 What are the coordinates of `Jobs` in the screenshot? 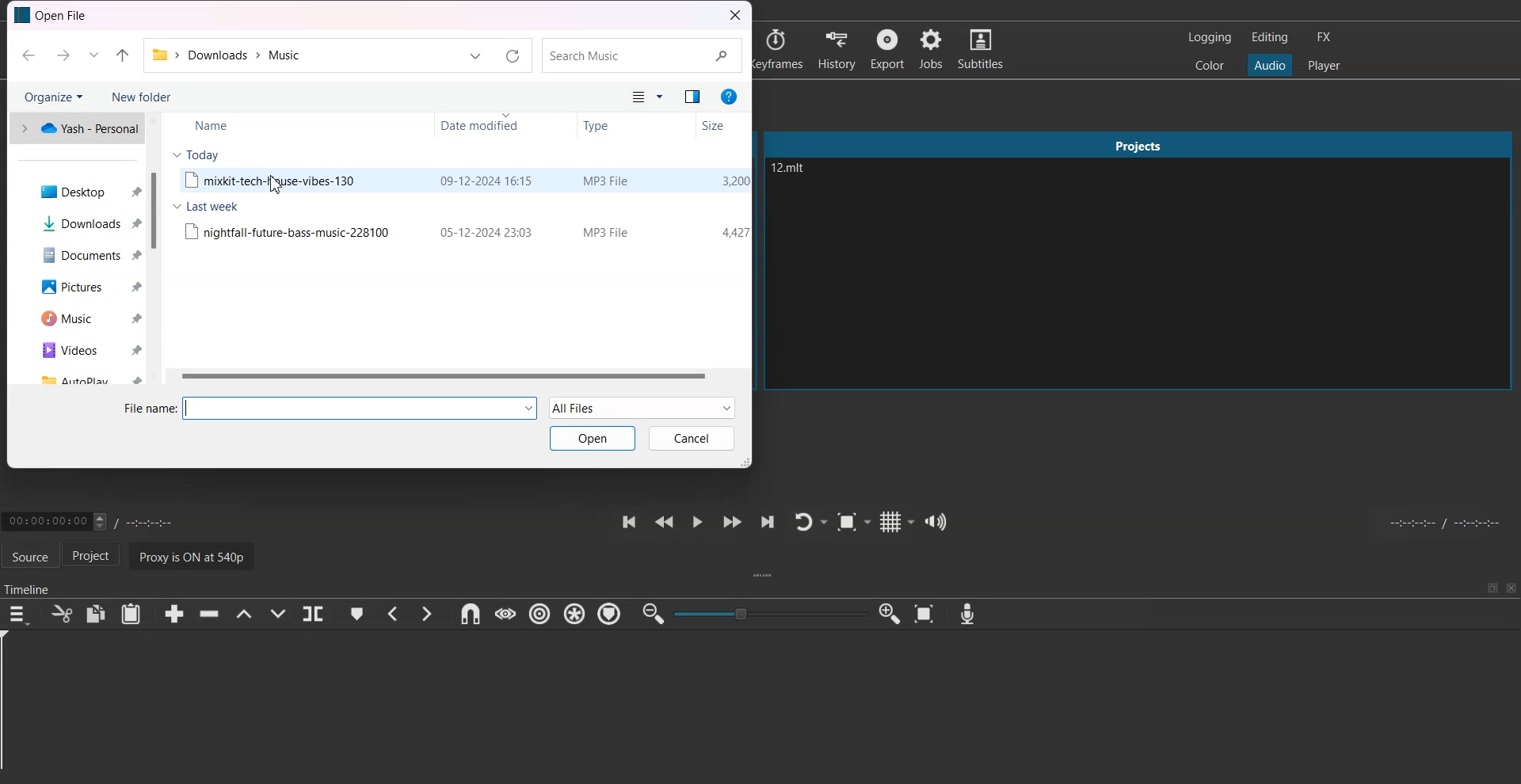 It's located at (932, 49).